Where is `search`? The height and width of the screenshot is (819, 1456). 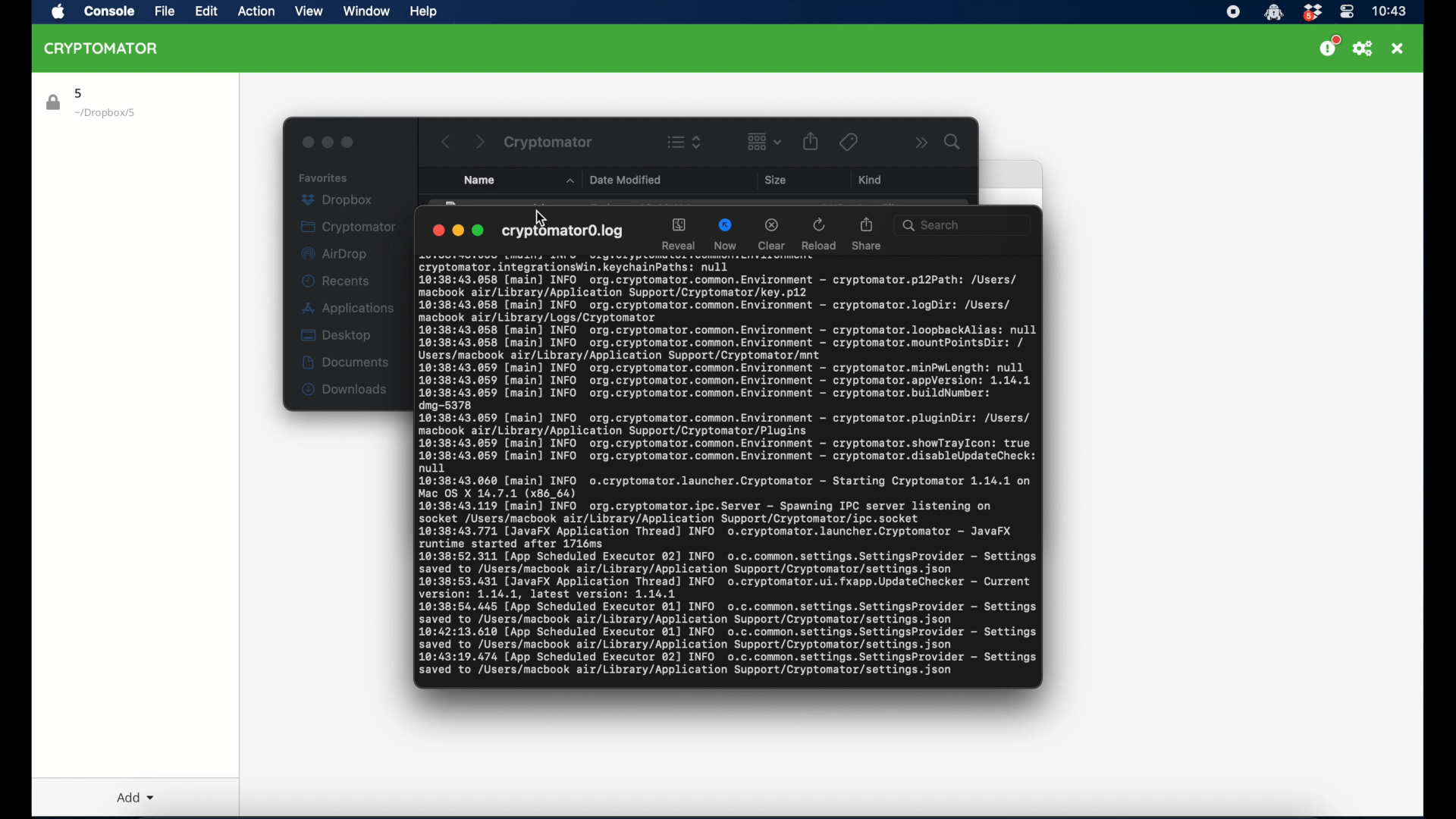
search is located at coordinates (953, 142).